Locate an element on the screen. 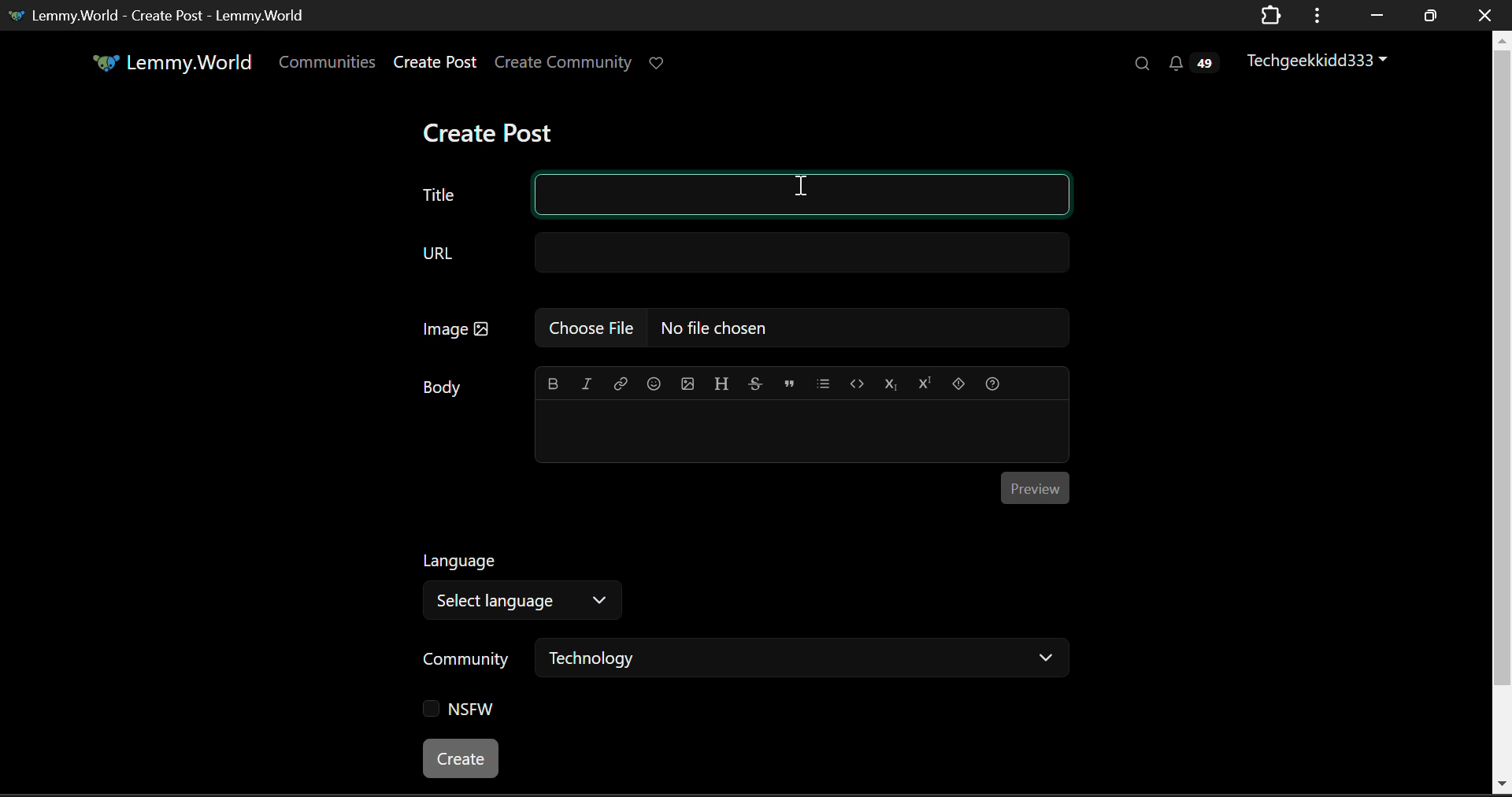 This screenshot has height=797, width=1512. NSFW Checkbox is located at coordinates (460, 712).